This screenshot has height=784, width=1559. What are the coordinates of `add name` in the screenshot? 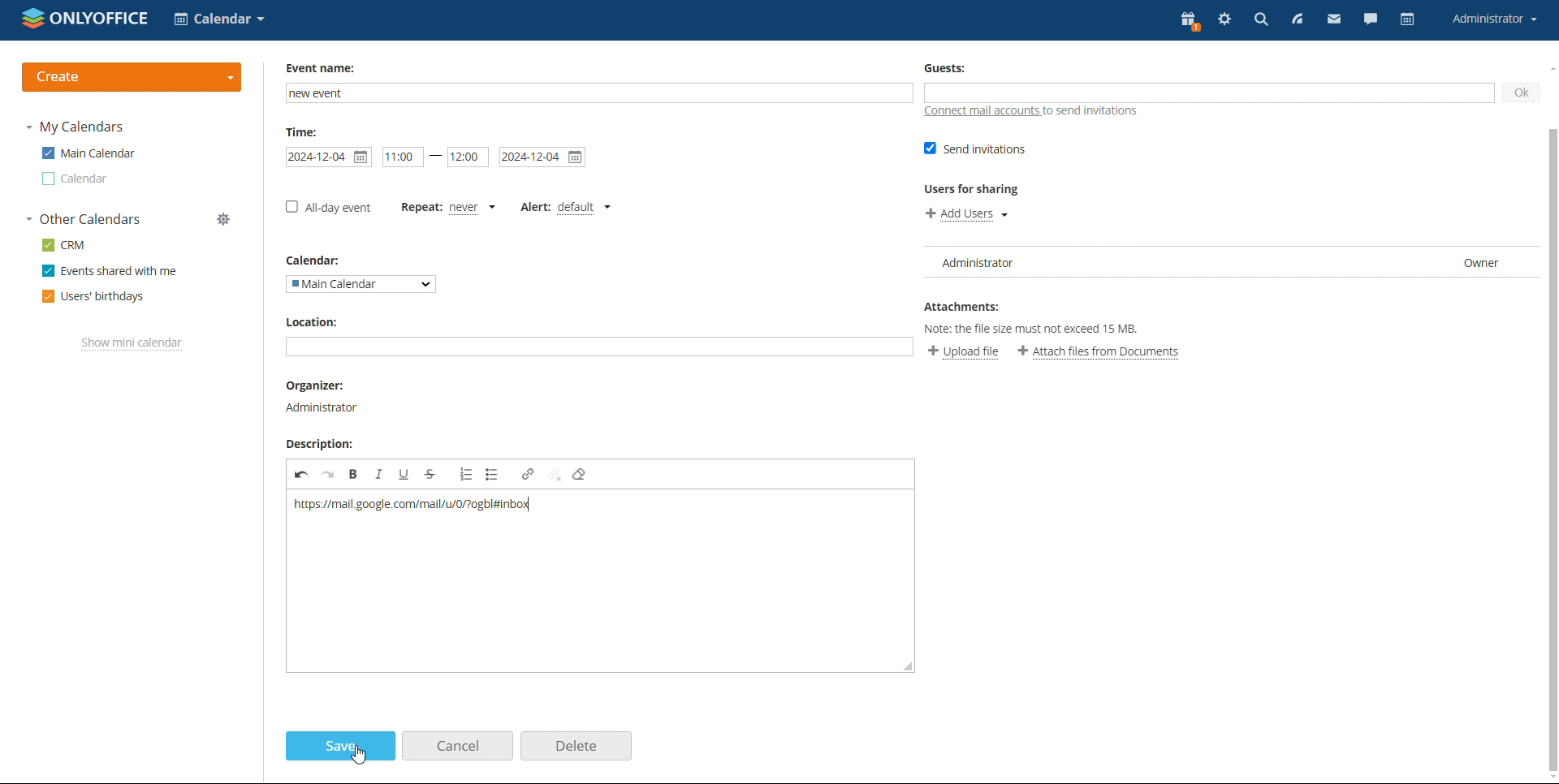 It's located at (599, 93).